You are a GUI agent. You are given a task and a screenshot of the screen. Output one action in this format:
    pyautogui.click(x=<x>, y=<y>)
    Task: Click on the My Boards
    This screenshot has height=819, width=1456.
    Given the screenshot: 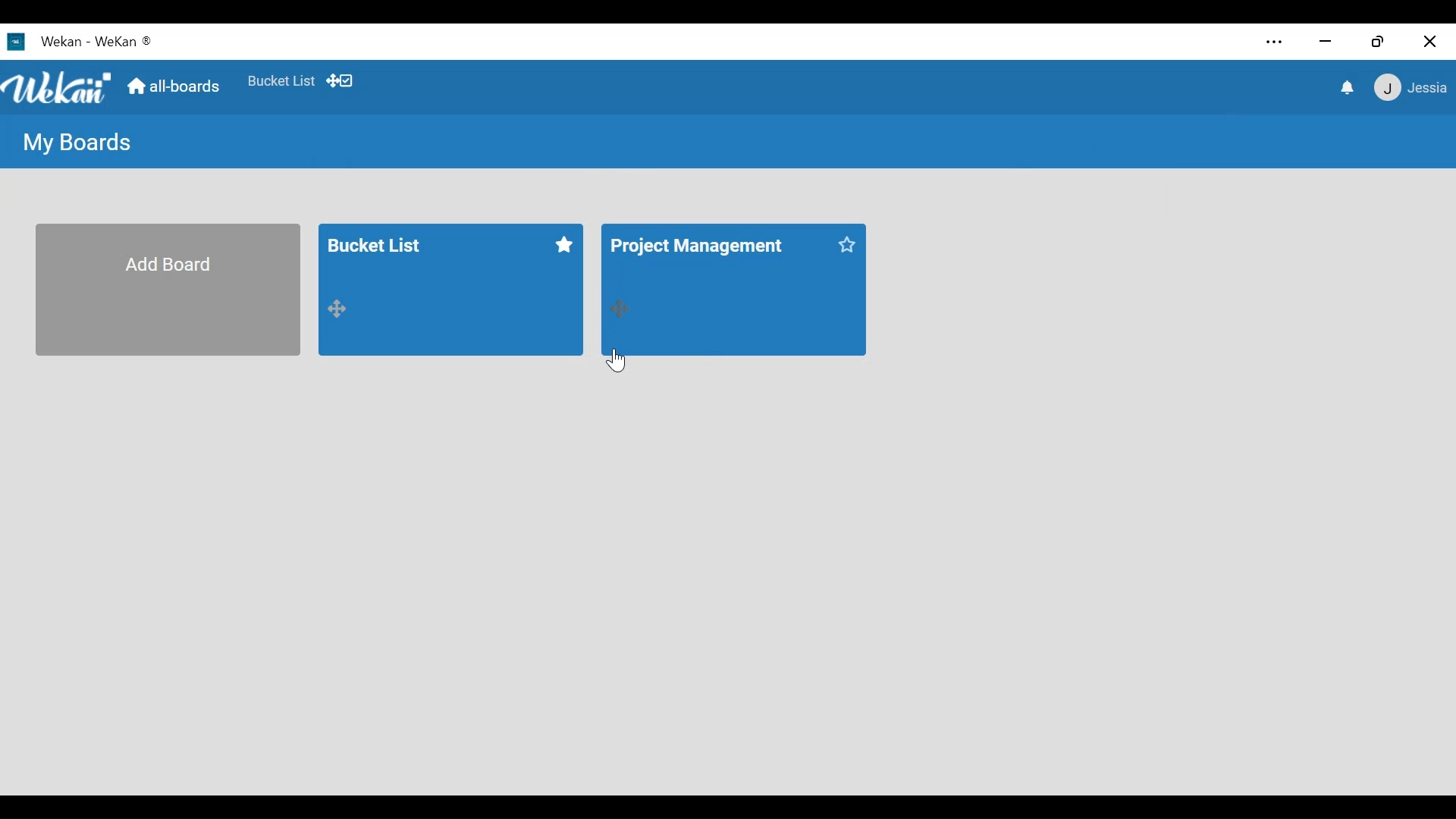 What is the action you would take?
    pyautogui.click(x=80, y=141)
    